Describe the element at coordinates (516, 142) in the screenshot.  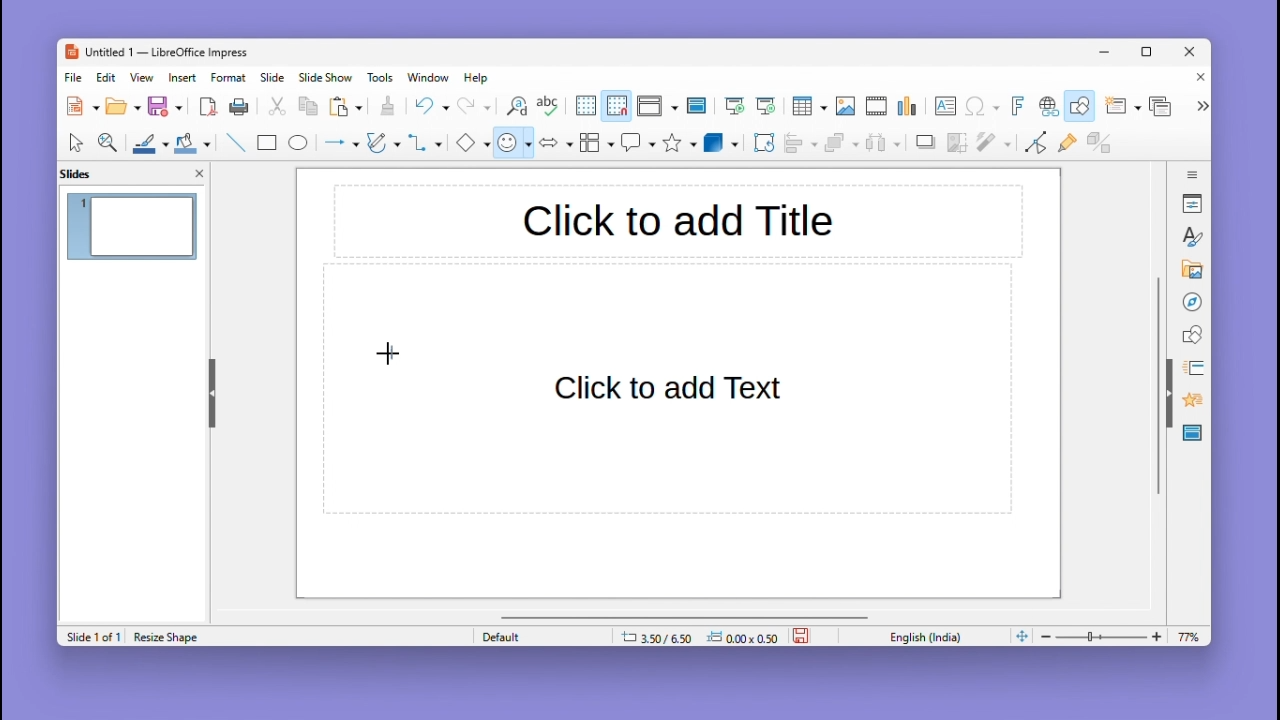
I see `Symbol` at that location.